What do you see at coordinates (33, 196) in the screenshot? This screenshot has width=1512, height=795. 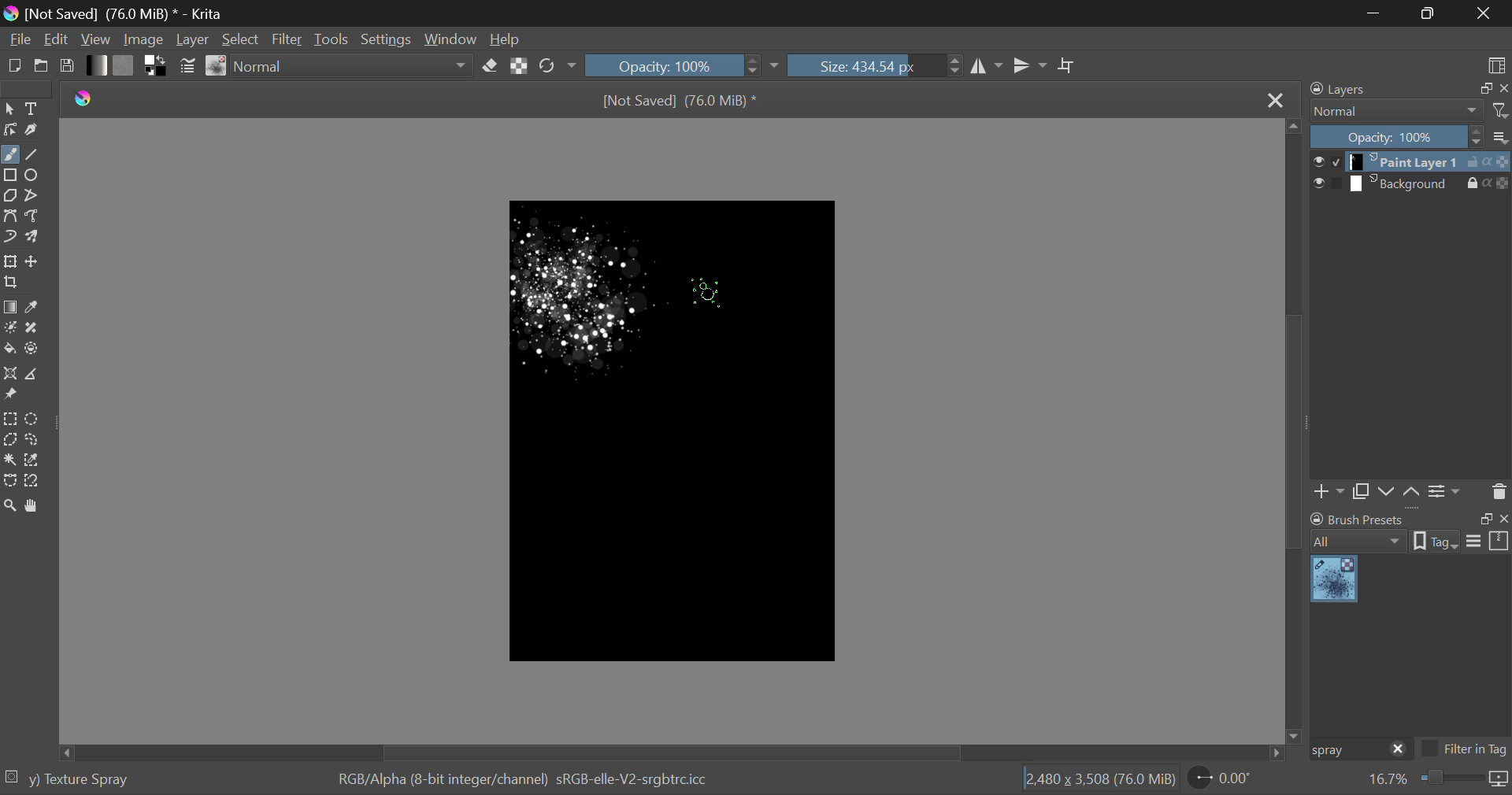 I see `Polyline` at bounding box center [33, 196].